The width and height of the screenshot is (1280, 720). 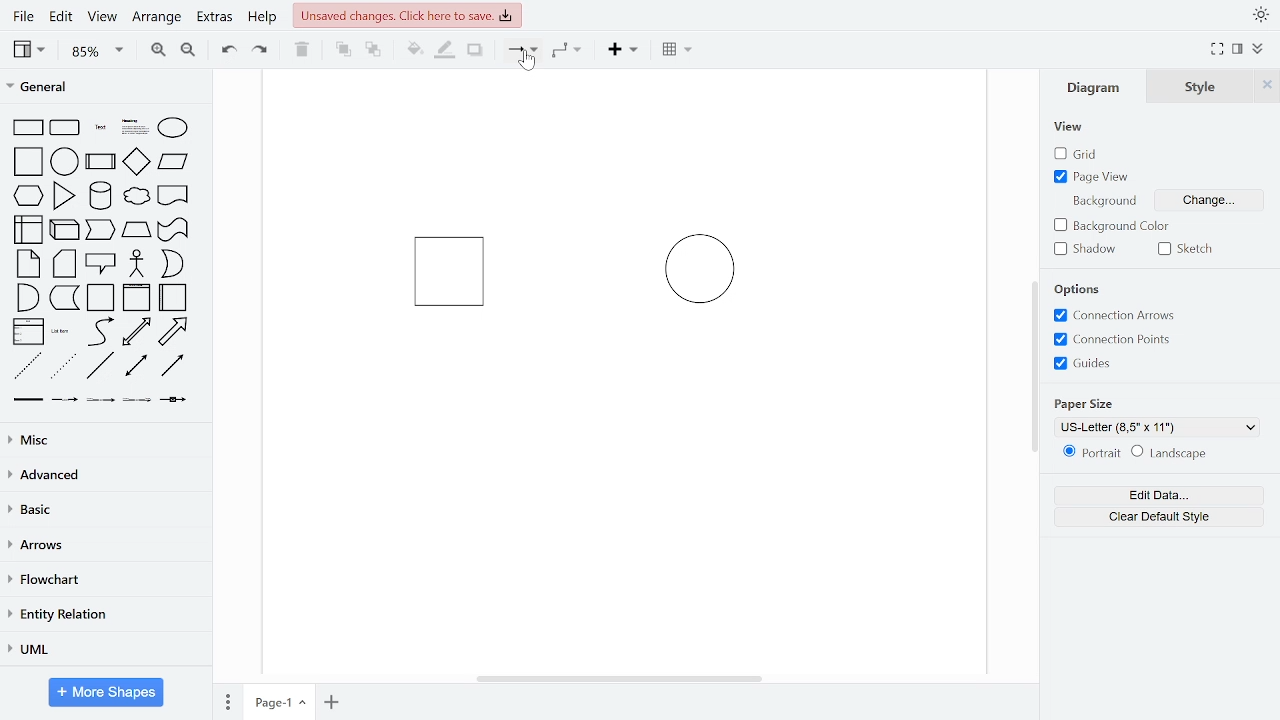 I want to click on arrows, so click(x=103, y=546).